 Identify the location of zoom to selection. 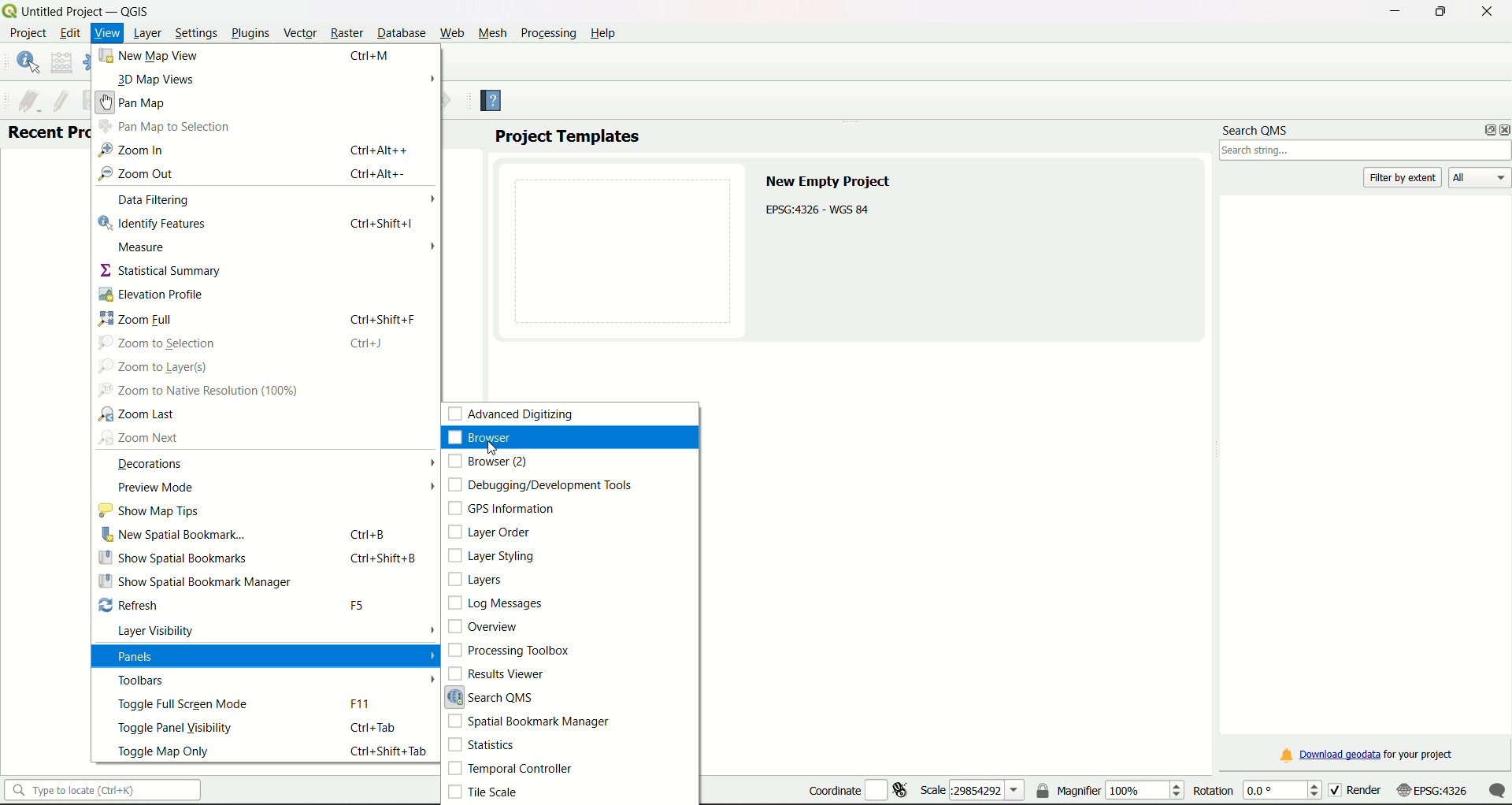
(157, 342).